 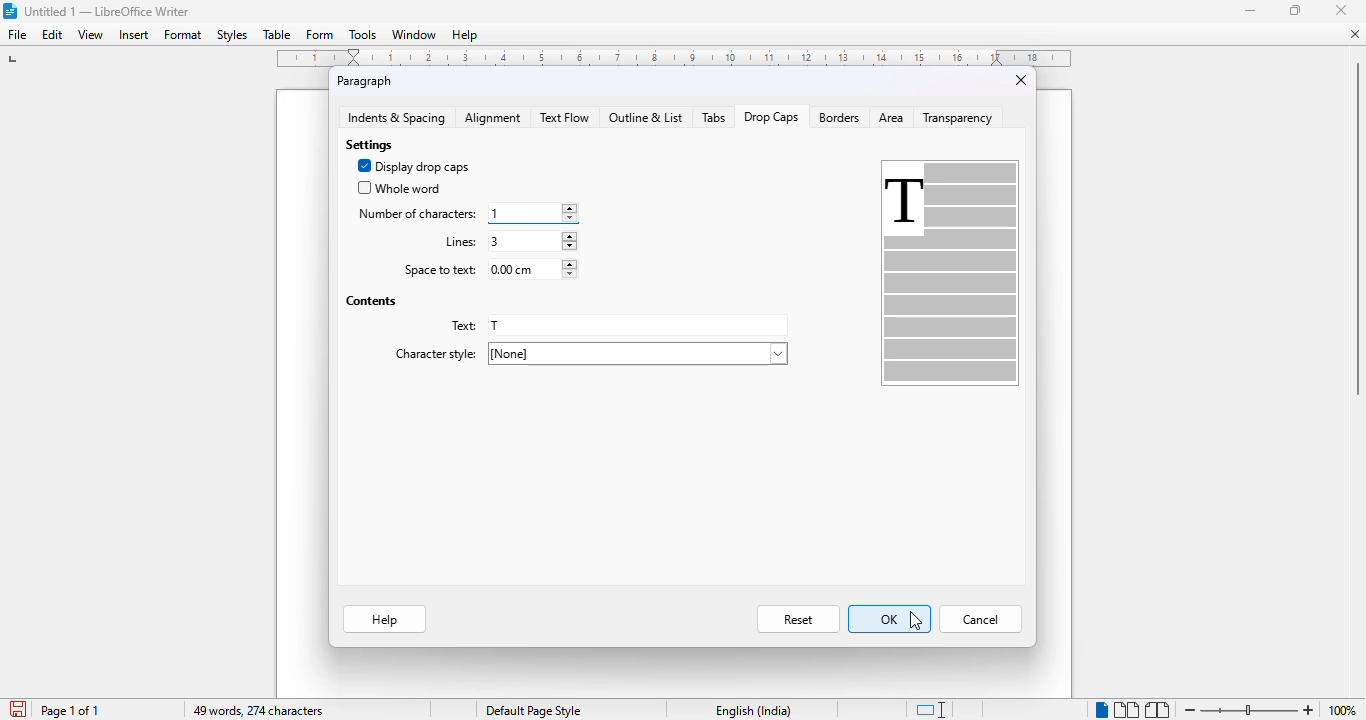 I want to click on help, so click(x=385, y=618).